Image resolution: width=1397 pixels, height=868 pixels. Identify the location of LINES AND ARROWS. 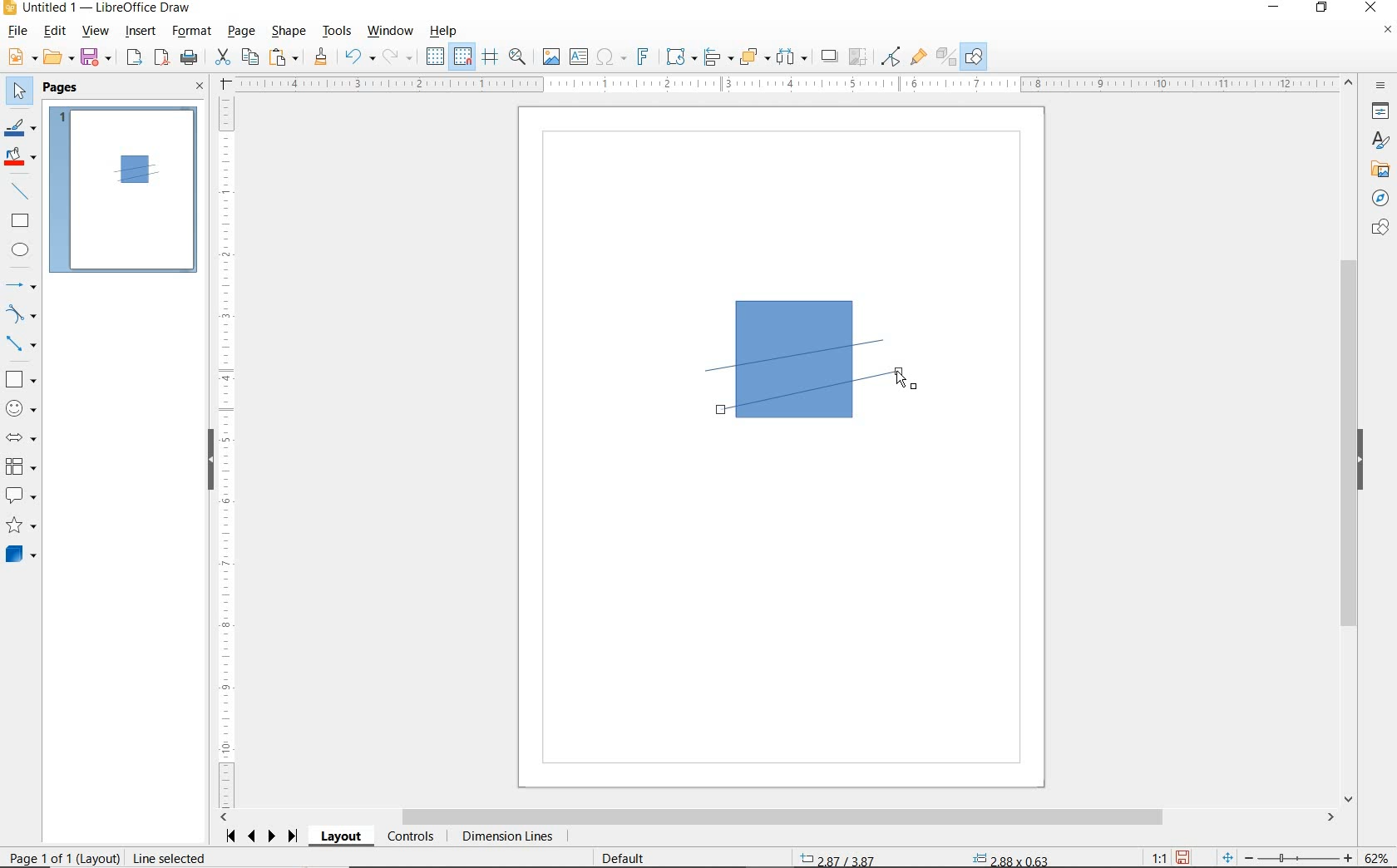
(22, 285).